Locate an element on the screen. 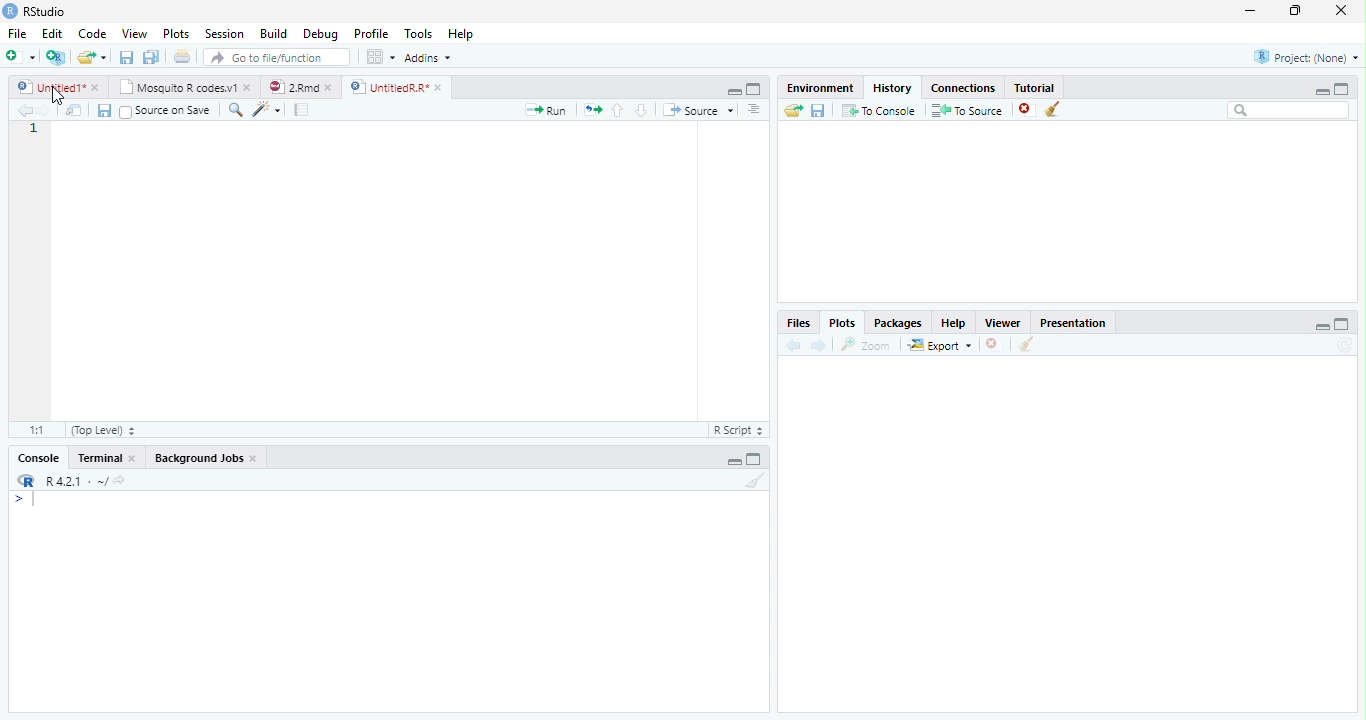 The width and height of the screenshot is (1366, 720). Go back to previous source location is located at coordinates (24, 110).